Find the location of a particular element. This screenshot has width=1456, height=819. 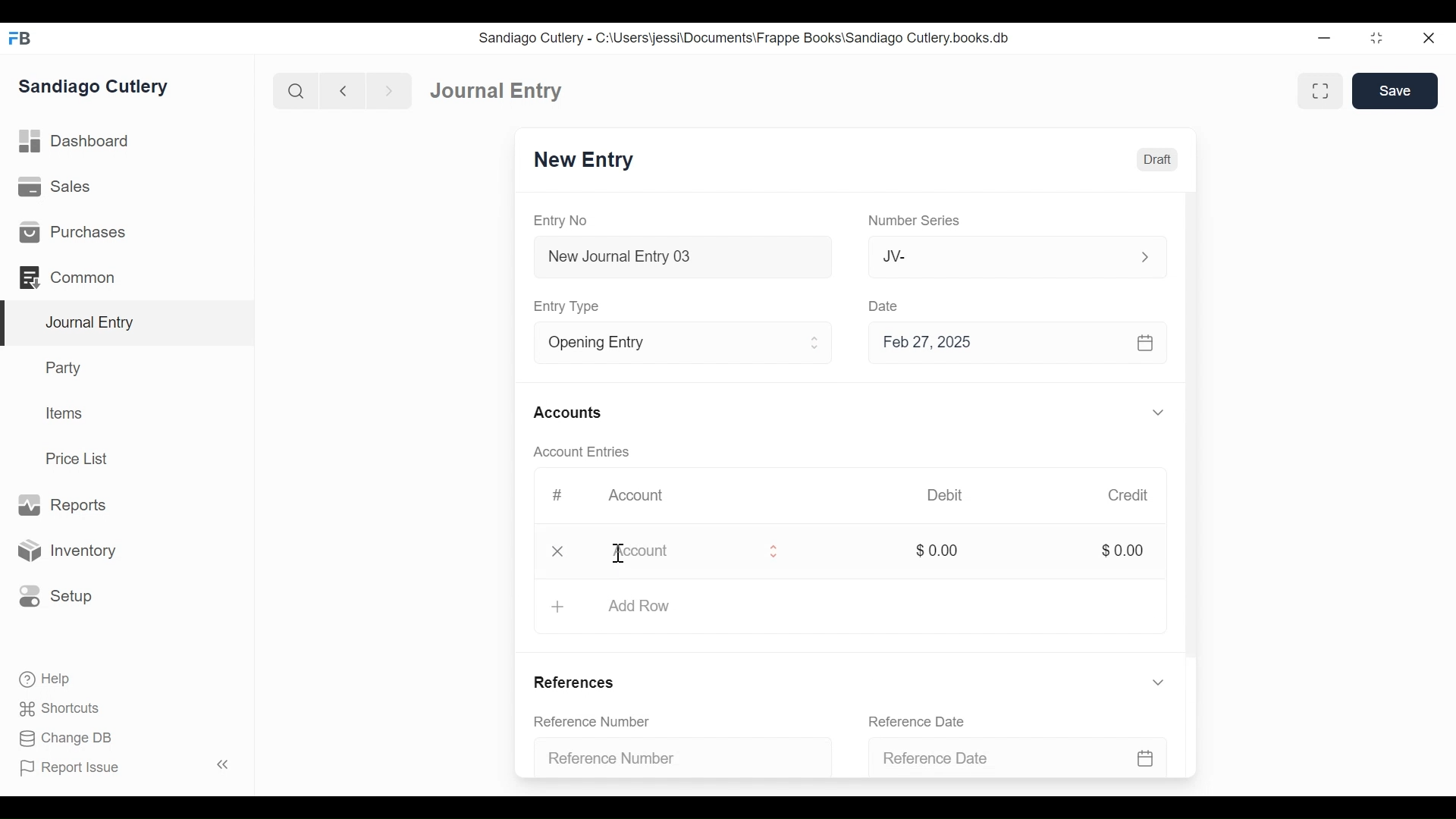

Vertical Scroll bar is located at coordinates (1193, 439).